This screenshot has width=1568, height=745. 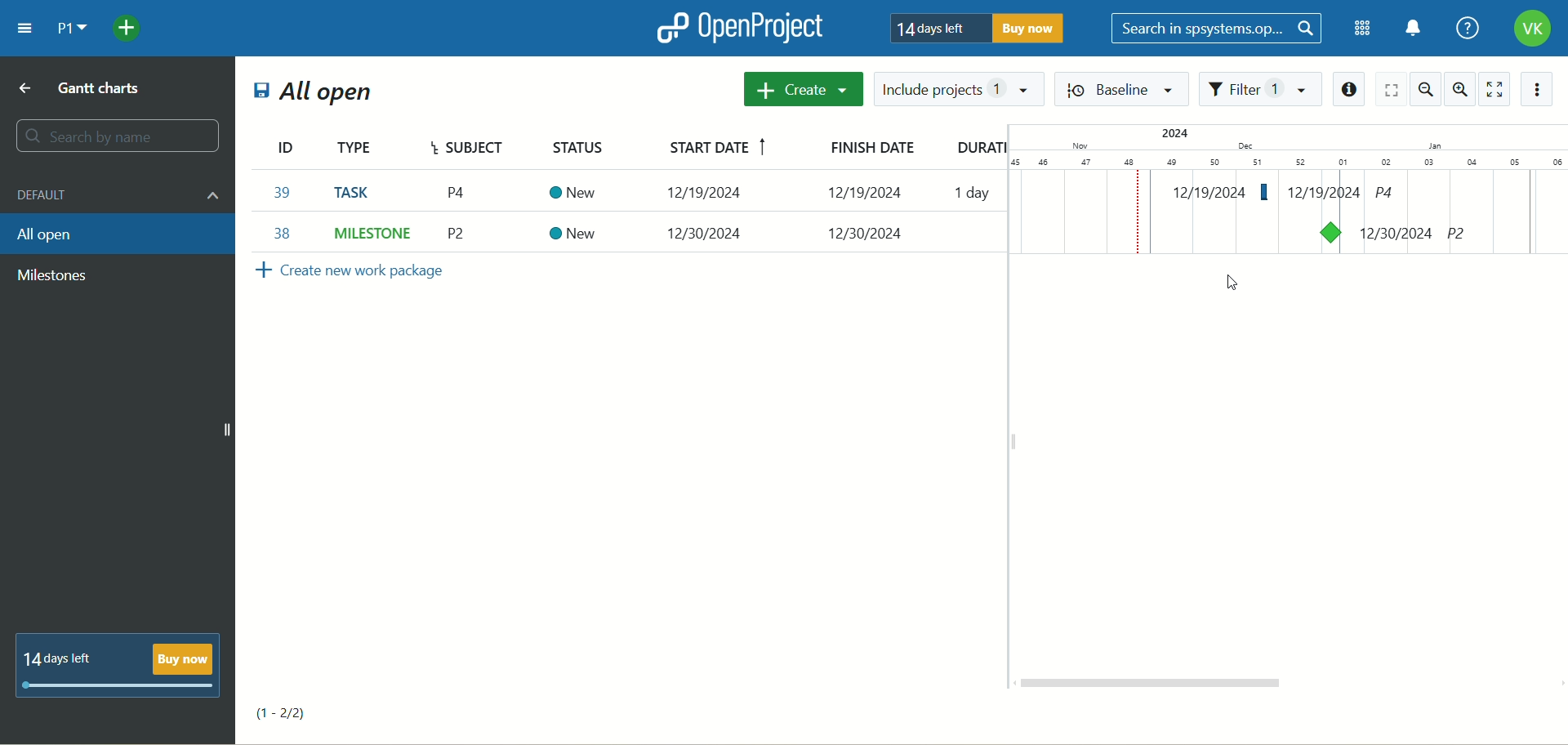 I want to click on default, so click(x=120, y=194).